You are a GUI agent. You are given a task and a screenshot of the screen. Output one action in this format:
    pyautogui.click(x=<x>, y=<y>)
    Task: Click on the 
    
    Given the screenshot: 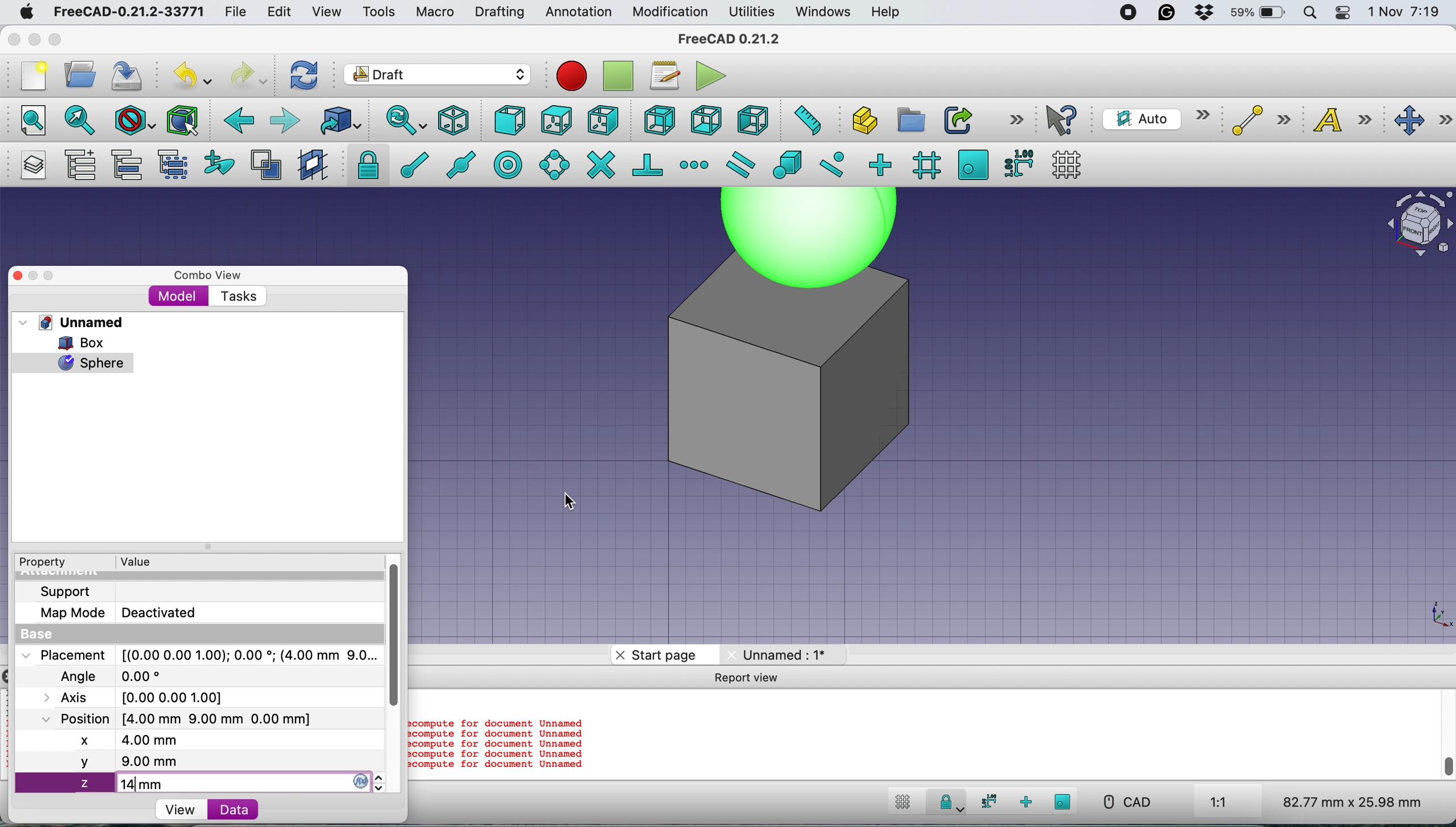 What is the action you would take?
    pyautogui.click(x=808, y=238)
    